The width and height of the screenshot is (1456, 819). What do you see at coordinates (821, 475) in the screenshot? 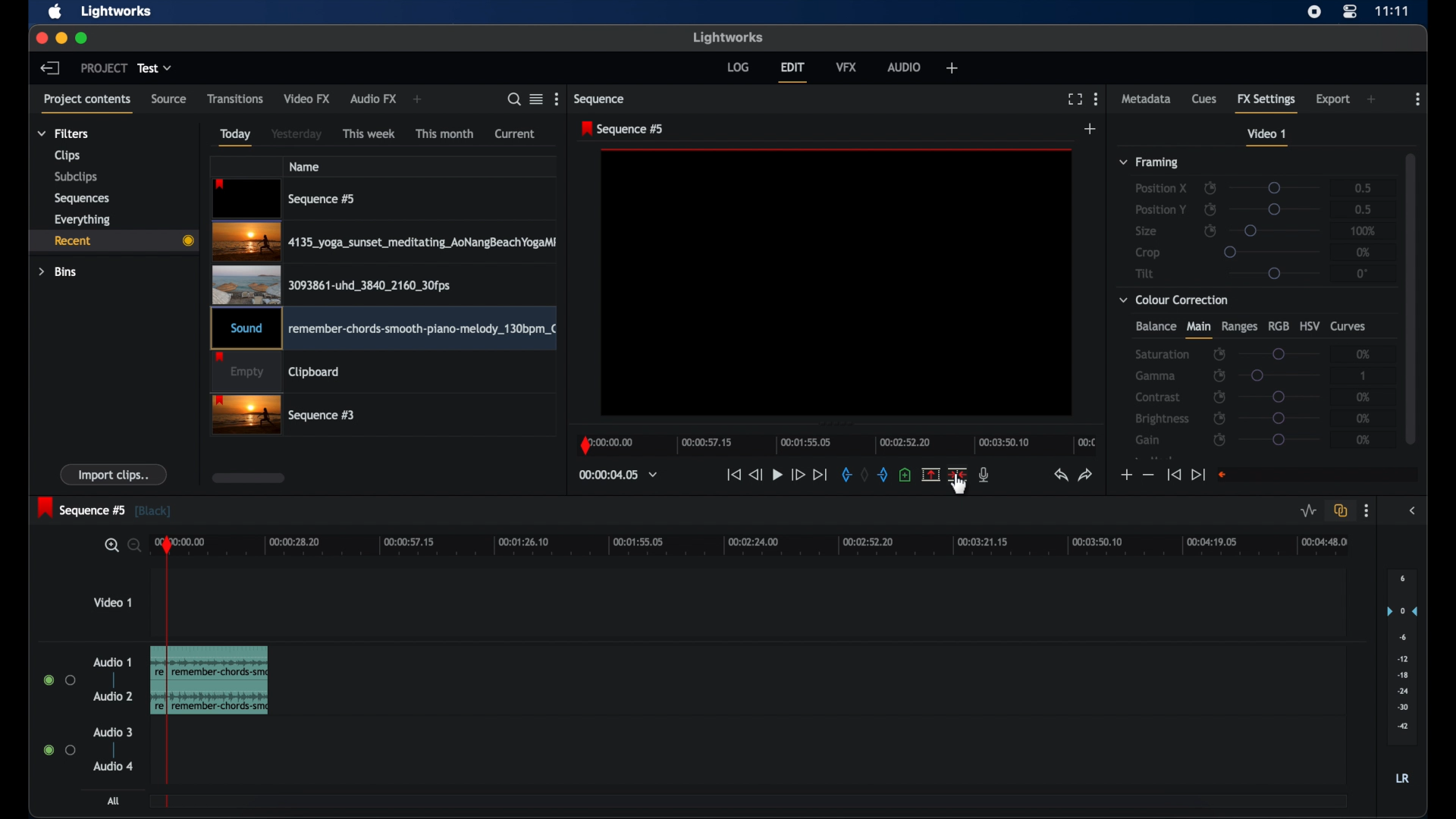
I see `jump to end` at bounding box center [821, 475].